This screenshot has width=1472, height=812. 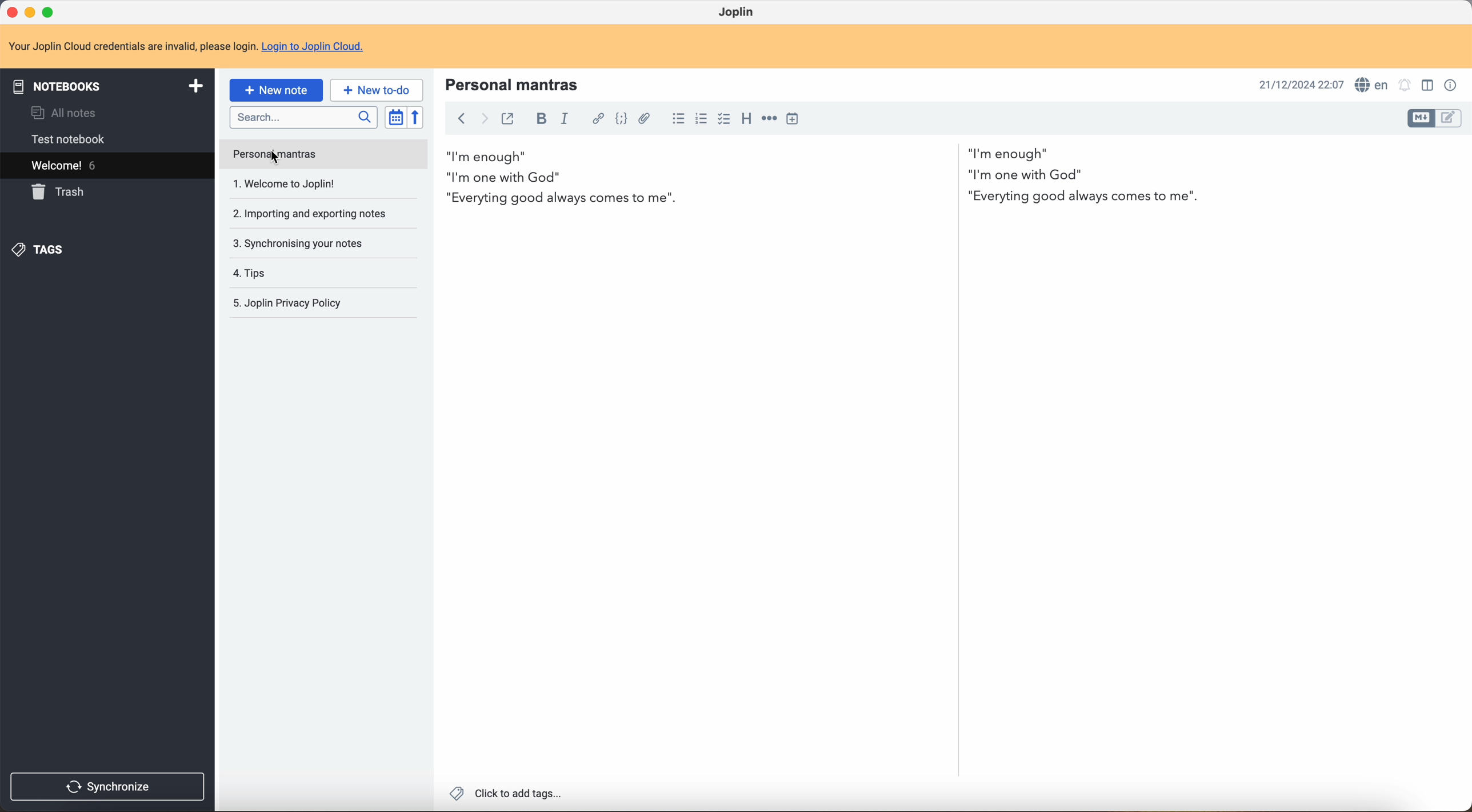 What do you see at coordinates (508, 795) in the screenshot?
I see `click to add tags` at bounding box center [508, 795].